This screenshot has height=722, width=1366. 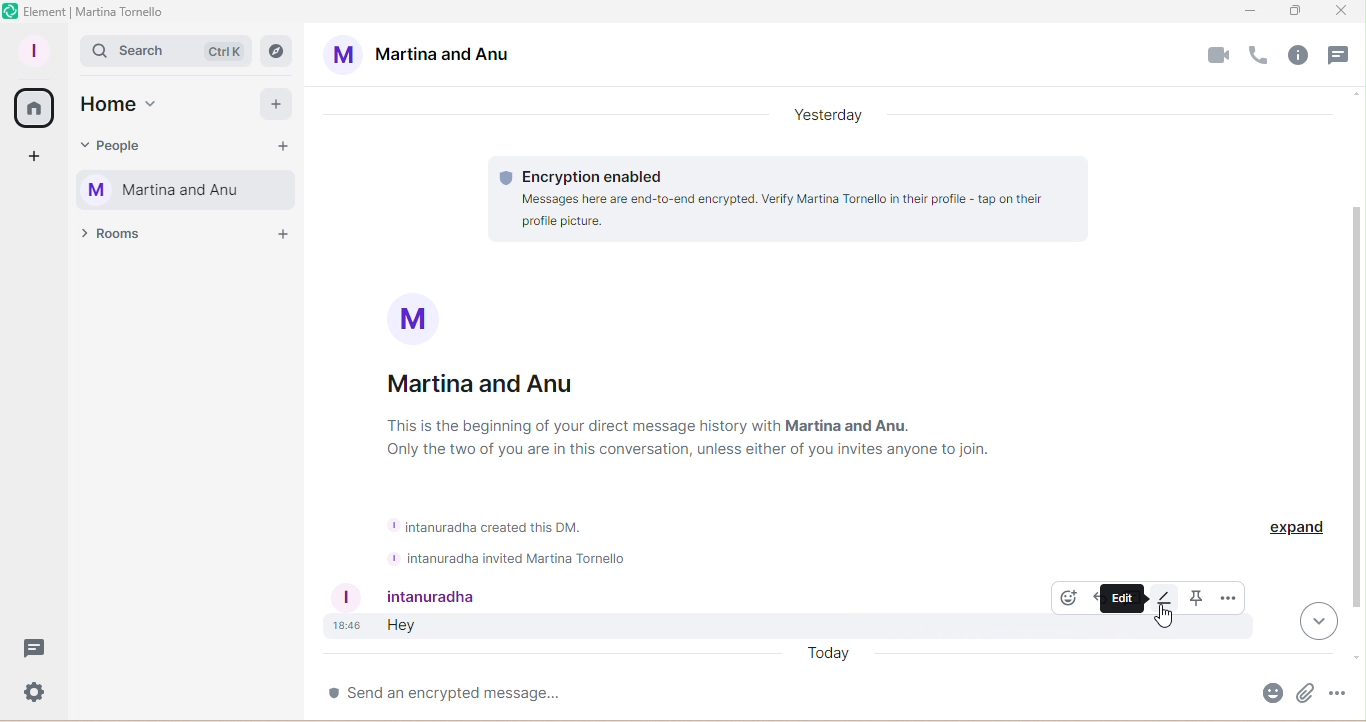 What do you see at coordinates (124, 105) in the screenshot?
I see `Home` at bounding box center [124, 105].